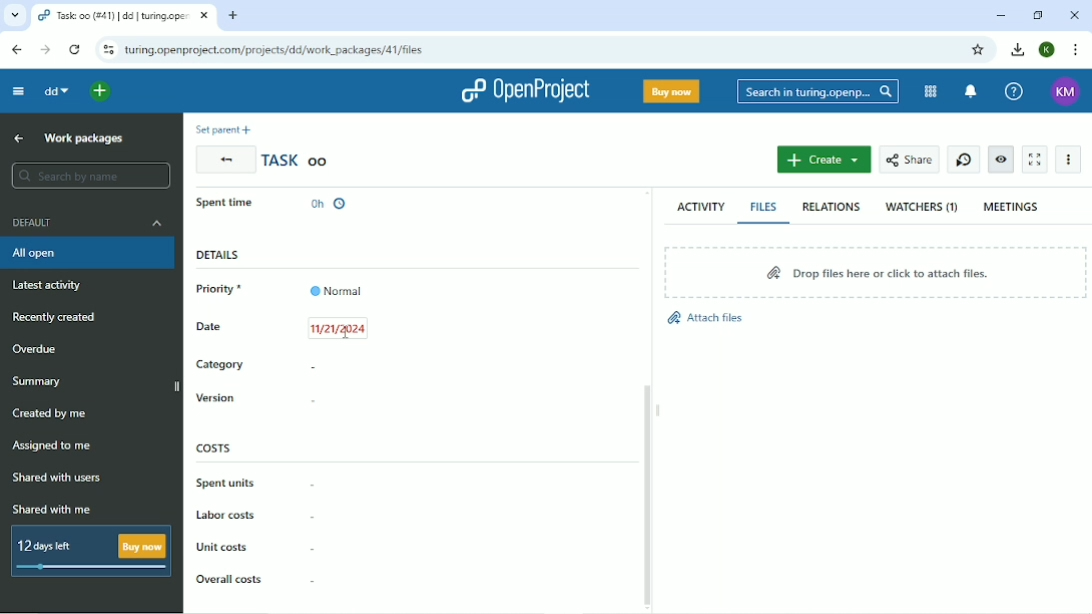  What do you see at coordinates (1019, 50) in the screenshot?
I see `Downloads` at bounding box center [1019, 50].